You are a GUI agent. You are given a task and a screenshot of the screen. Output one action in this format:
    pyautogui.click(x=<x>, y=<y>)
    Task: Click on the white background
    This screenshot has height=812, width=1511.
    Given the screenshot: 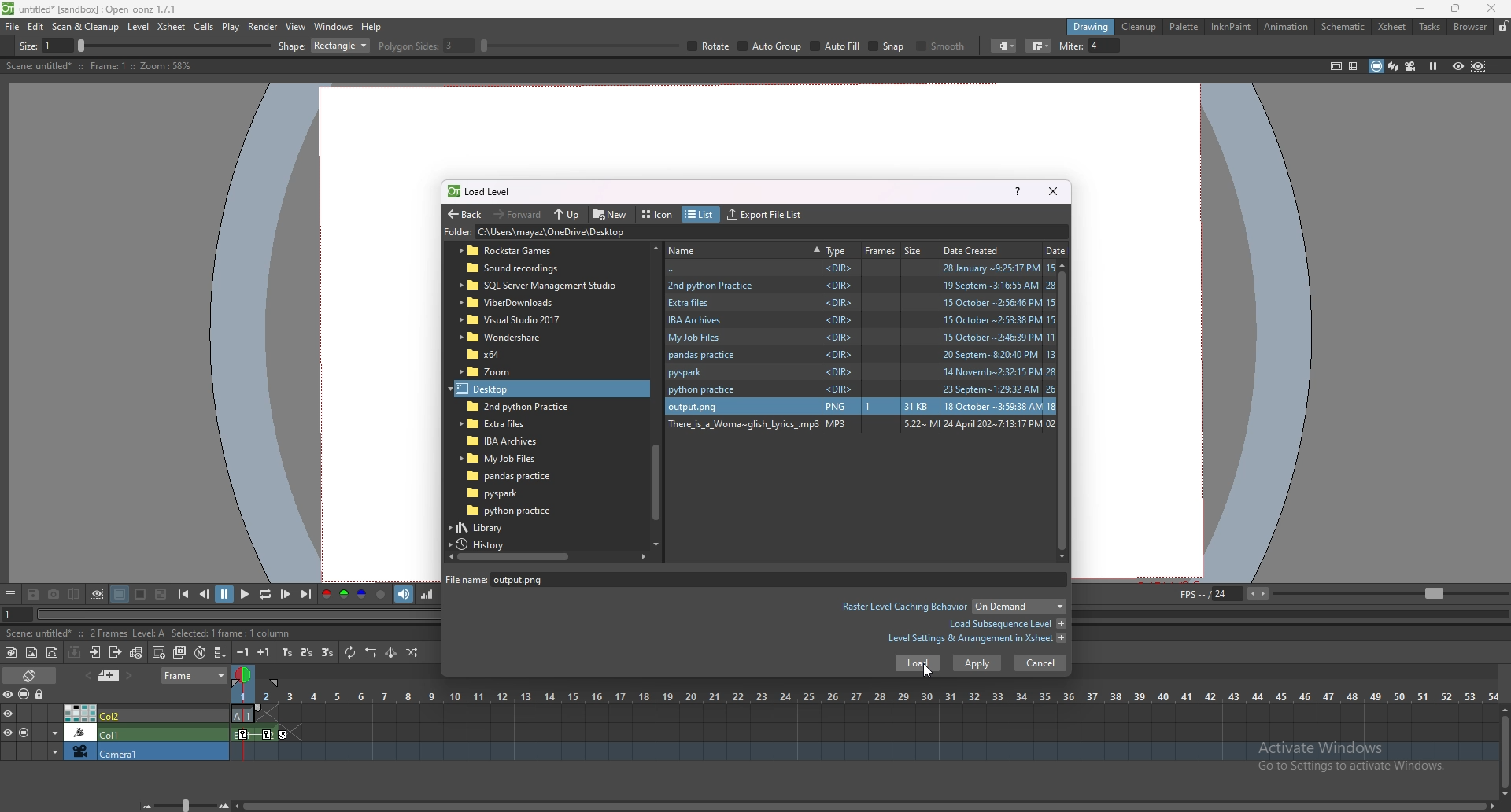 What is the action you would take?
    pyautogui.click(x=139, y=594)
    